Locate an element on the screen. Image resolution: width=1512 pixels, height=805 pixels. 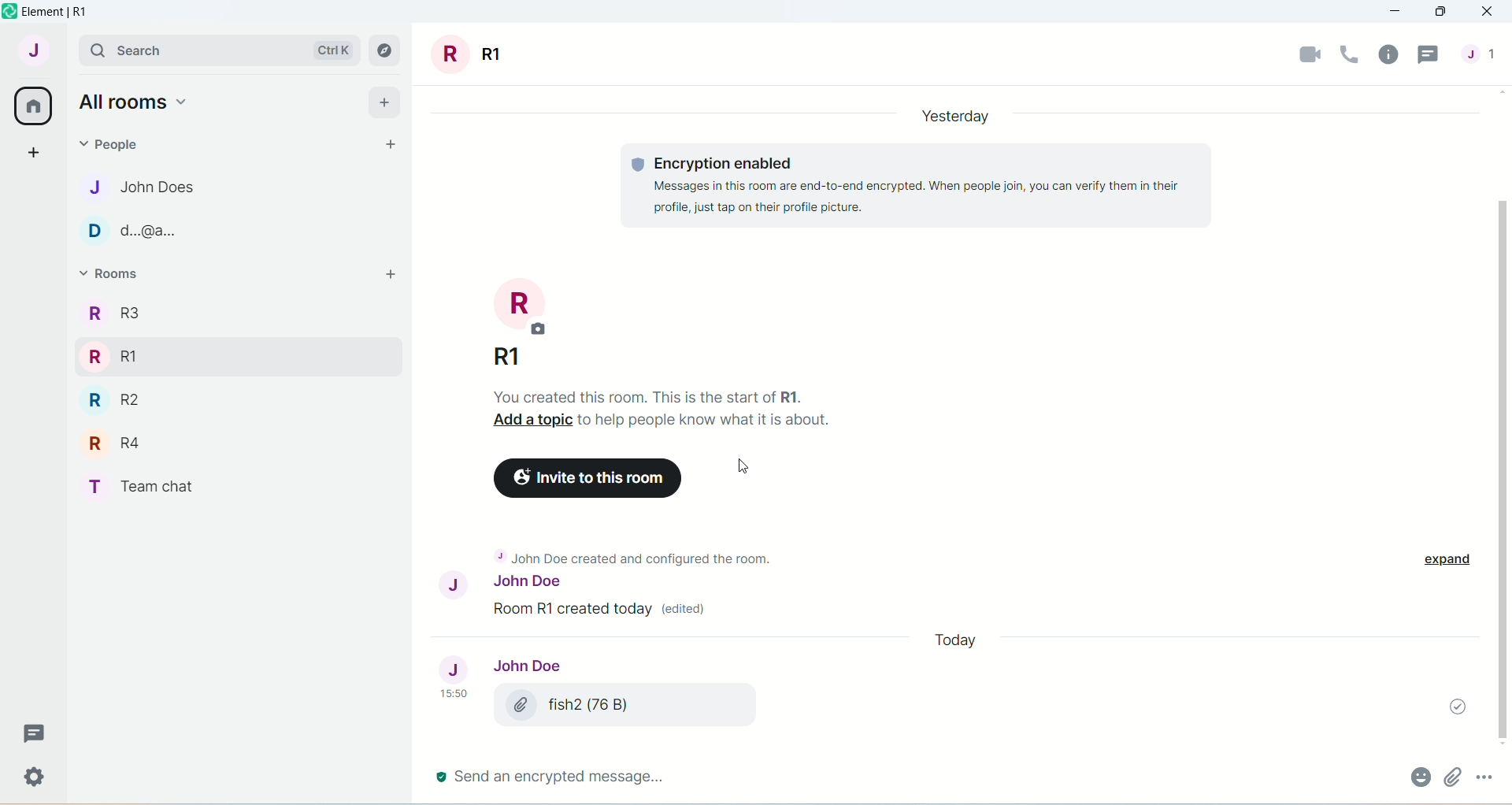
message sent is located at coordinates (1455, 708).